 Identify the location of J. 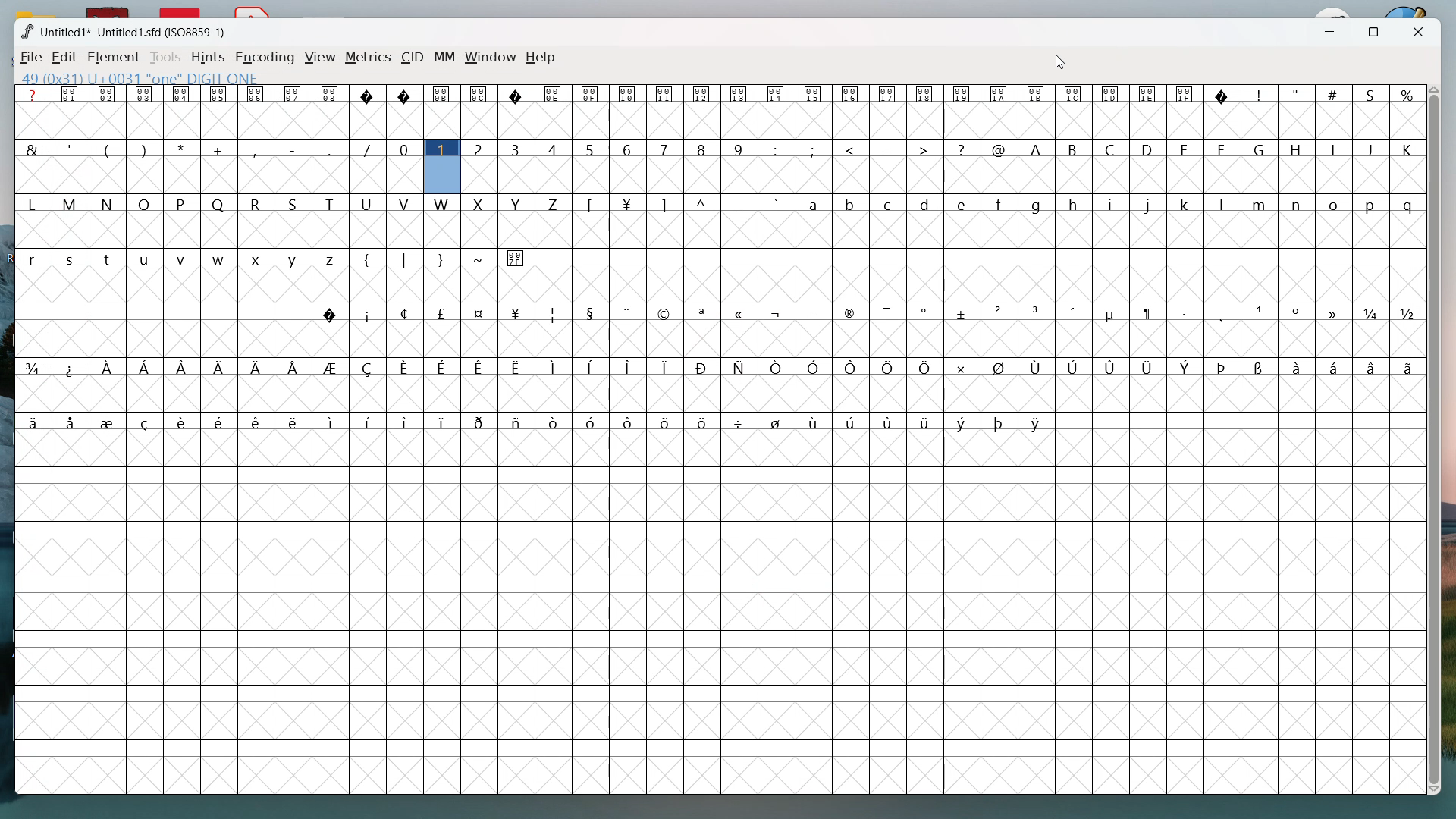
(1372, 148).